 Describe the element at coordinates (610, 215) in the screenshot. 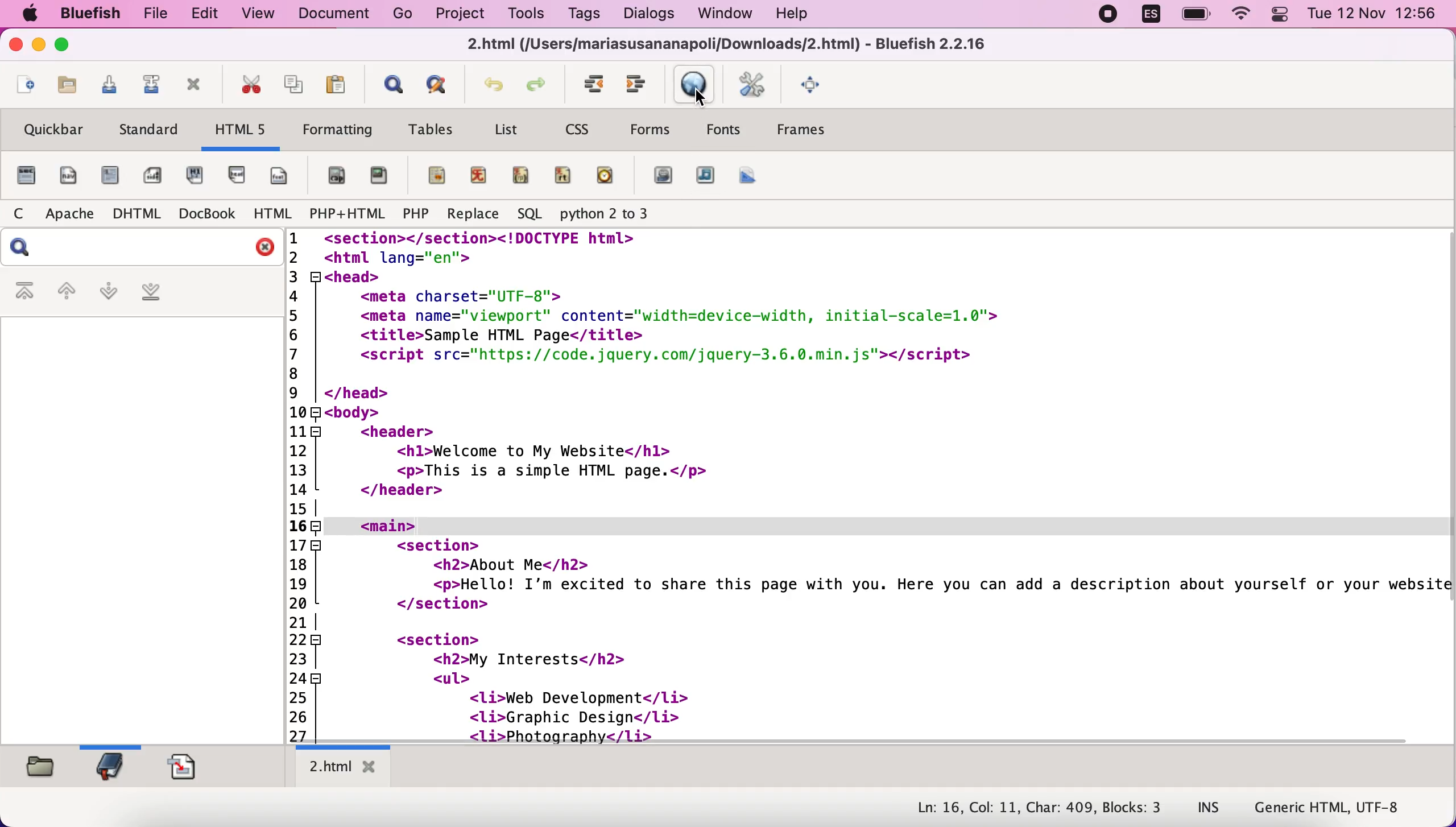

I see `python2 to 3` at that location.